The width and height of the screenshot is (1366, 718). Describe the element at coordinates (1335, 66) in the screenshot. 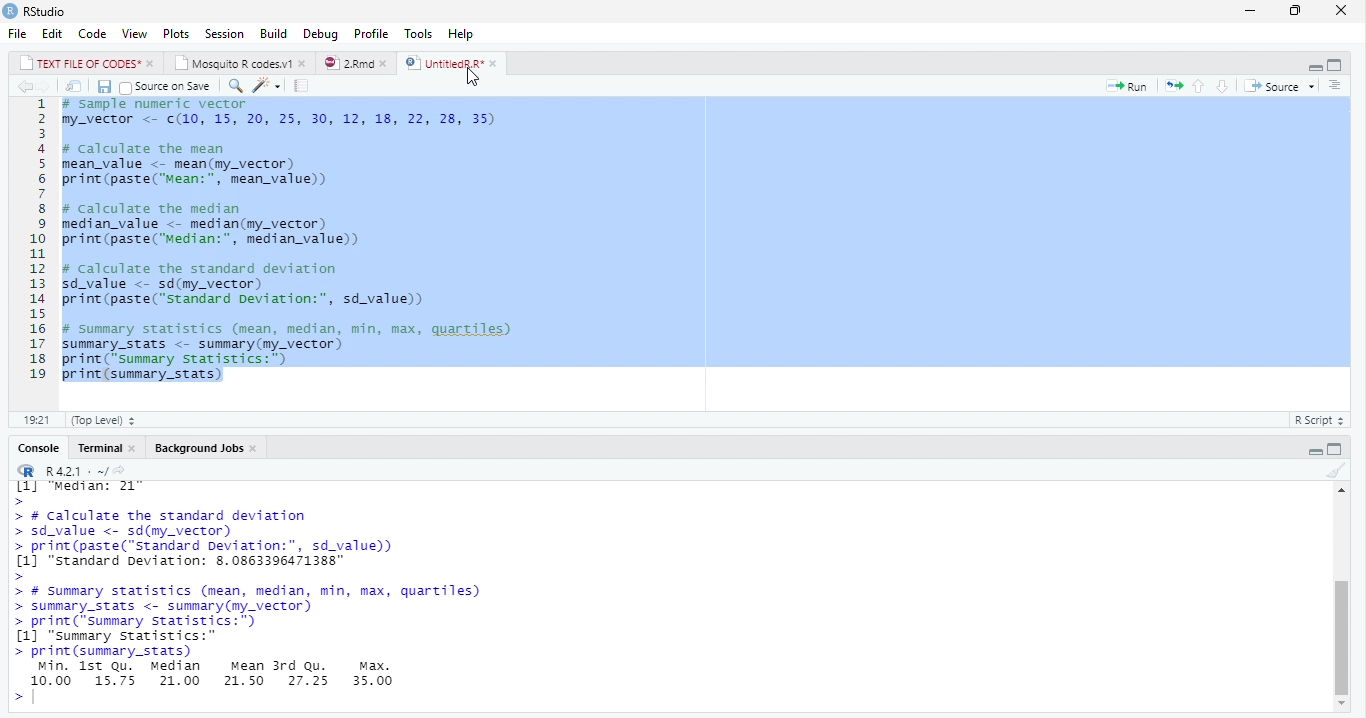

I see `maximize` at that location.